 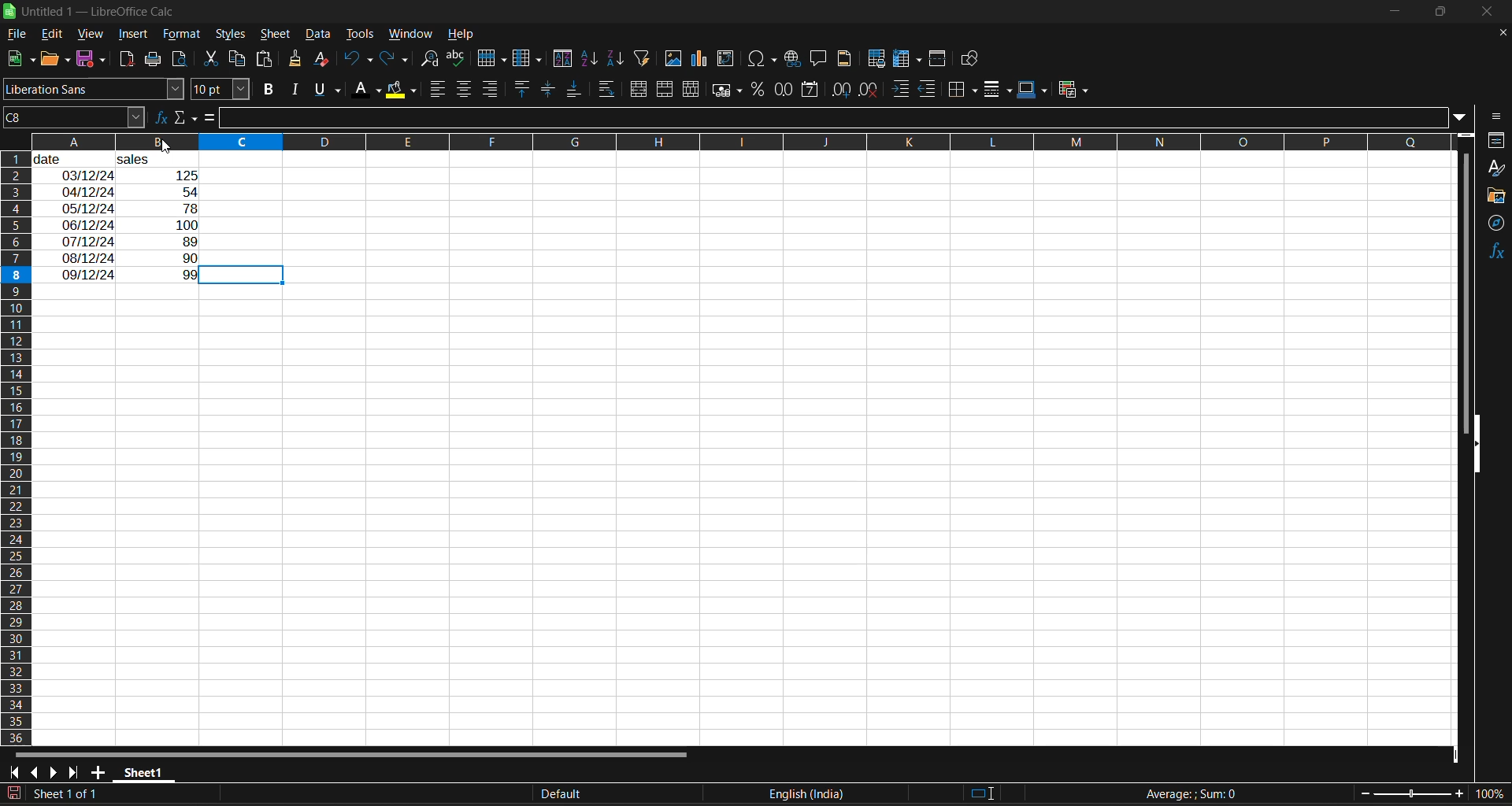 What do you see at coordinates (973, 59) in the screenshot?
I see `show draw functions` at bounding box center [973, 59].